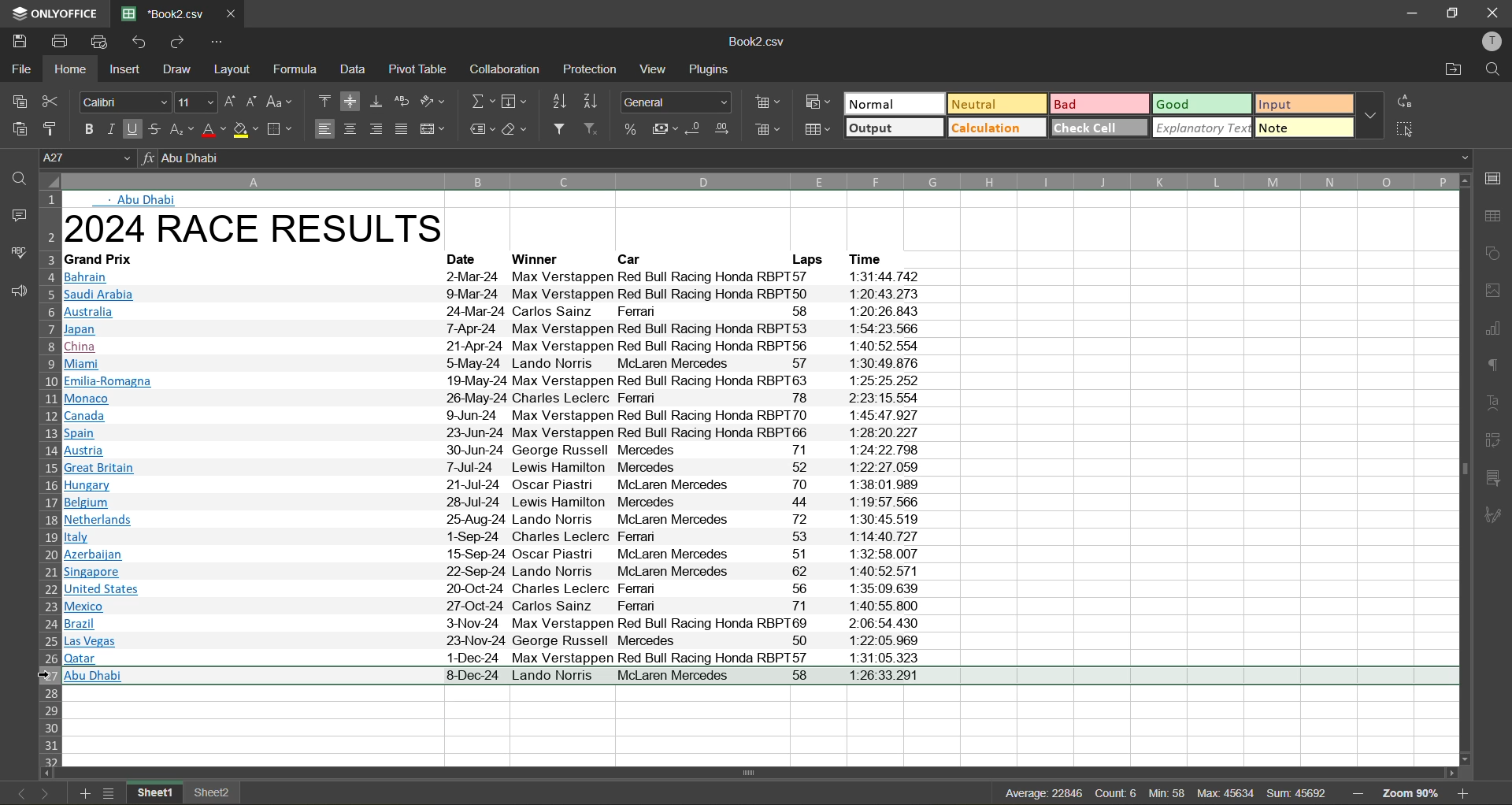 The height and width of the screenshot is (805, 1512). Describe the element at coordinates (139, 42) in the screenshot. I see `undo` at that location.